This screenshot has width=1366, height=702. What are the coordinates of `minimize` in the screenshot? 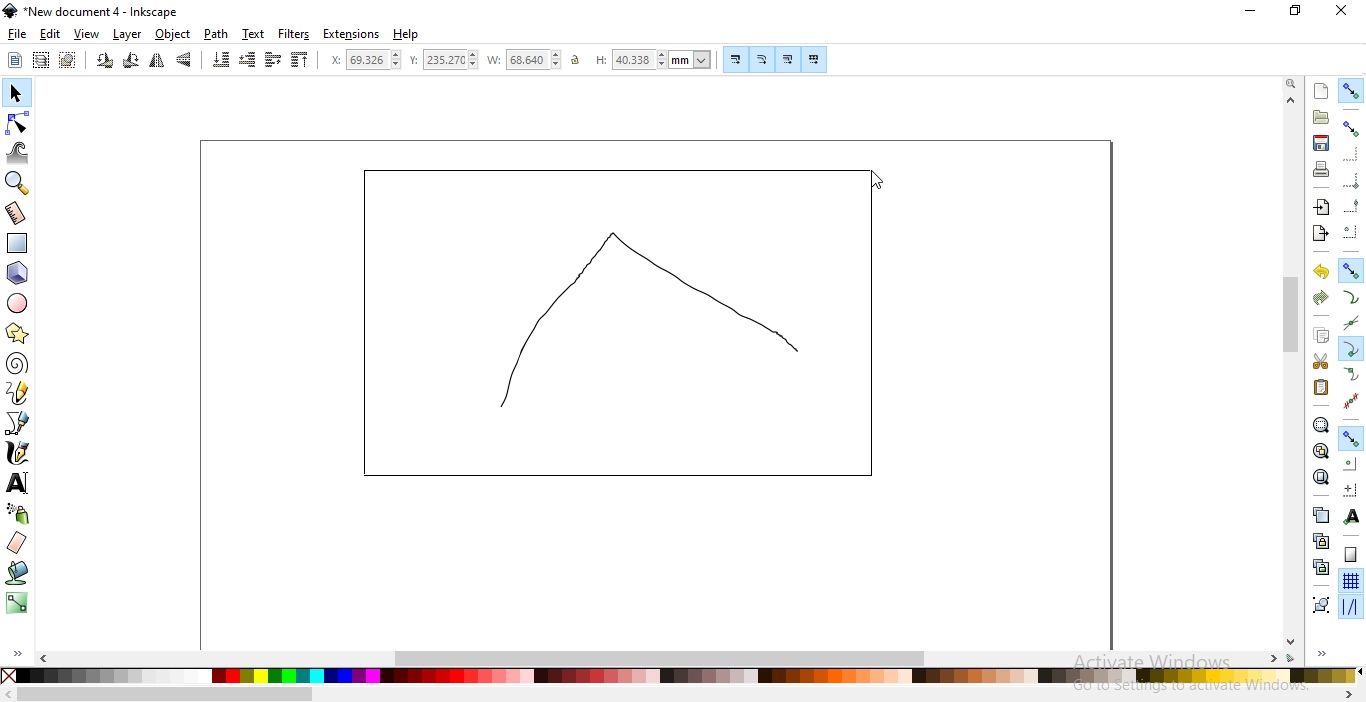 It's located at (1252, 9).